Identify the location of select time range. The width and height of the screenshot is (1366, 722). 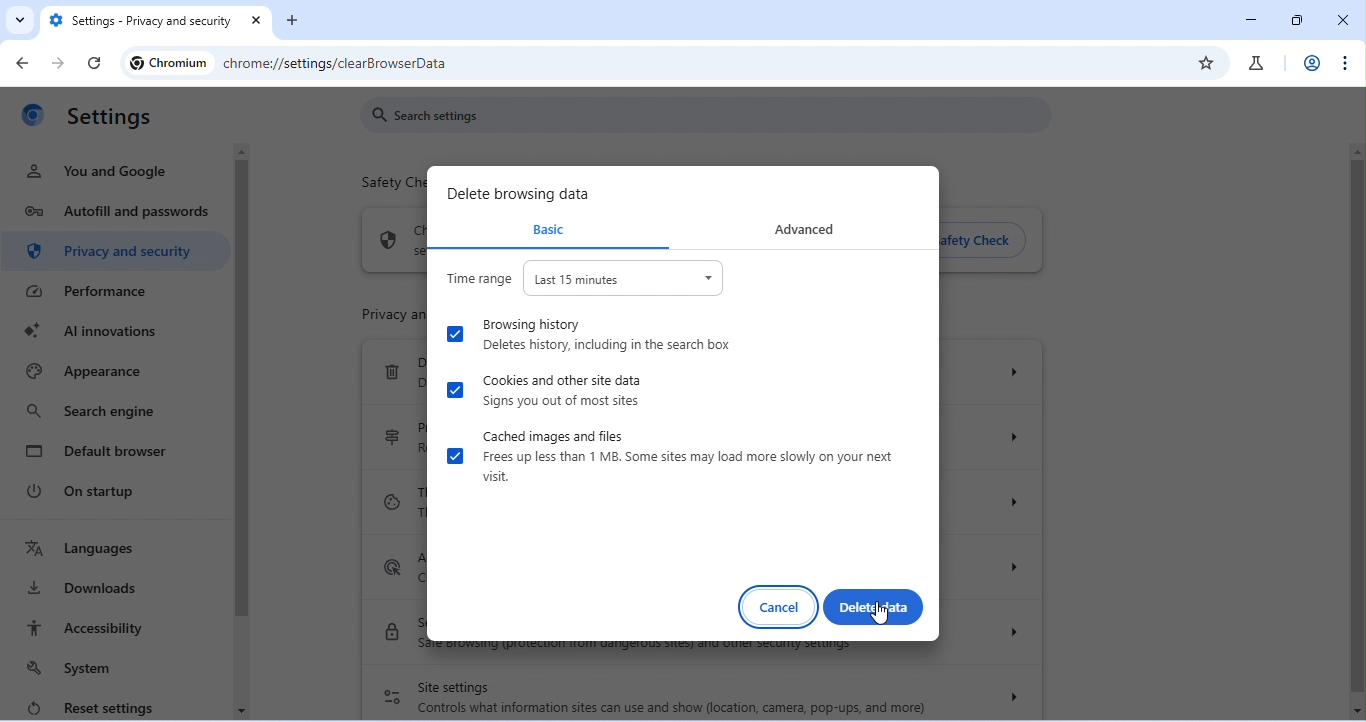
(624, 278).